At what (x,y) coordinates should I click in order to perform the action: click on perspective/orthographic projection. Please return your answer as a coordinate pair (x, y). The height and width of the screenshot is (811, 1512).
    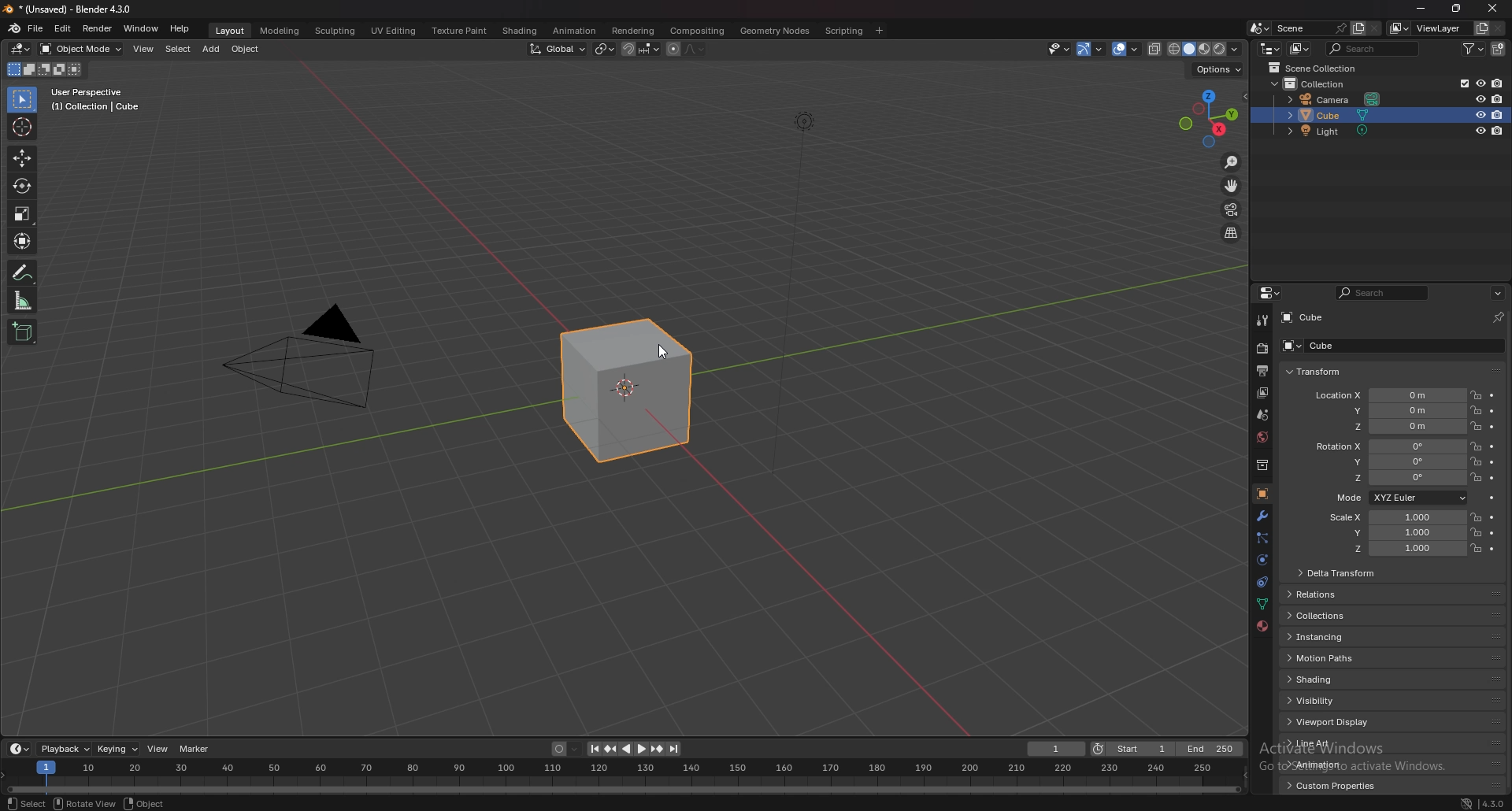
    Looking at the image, I should click on (1232, 233).